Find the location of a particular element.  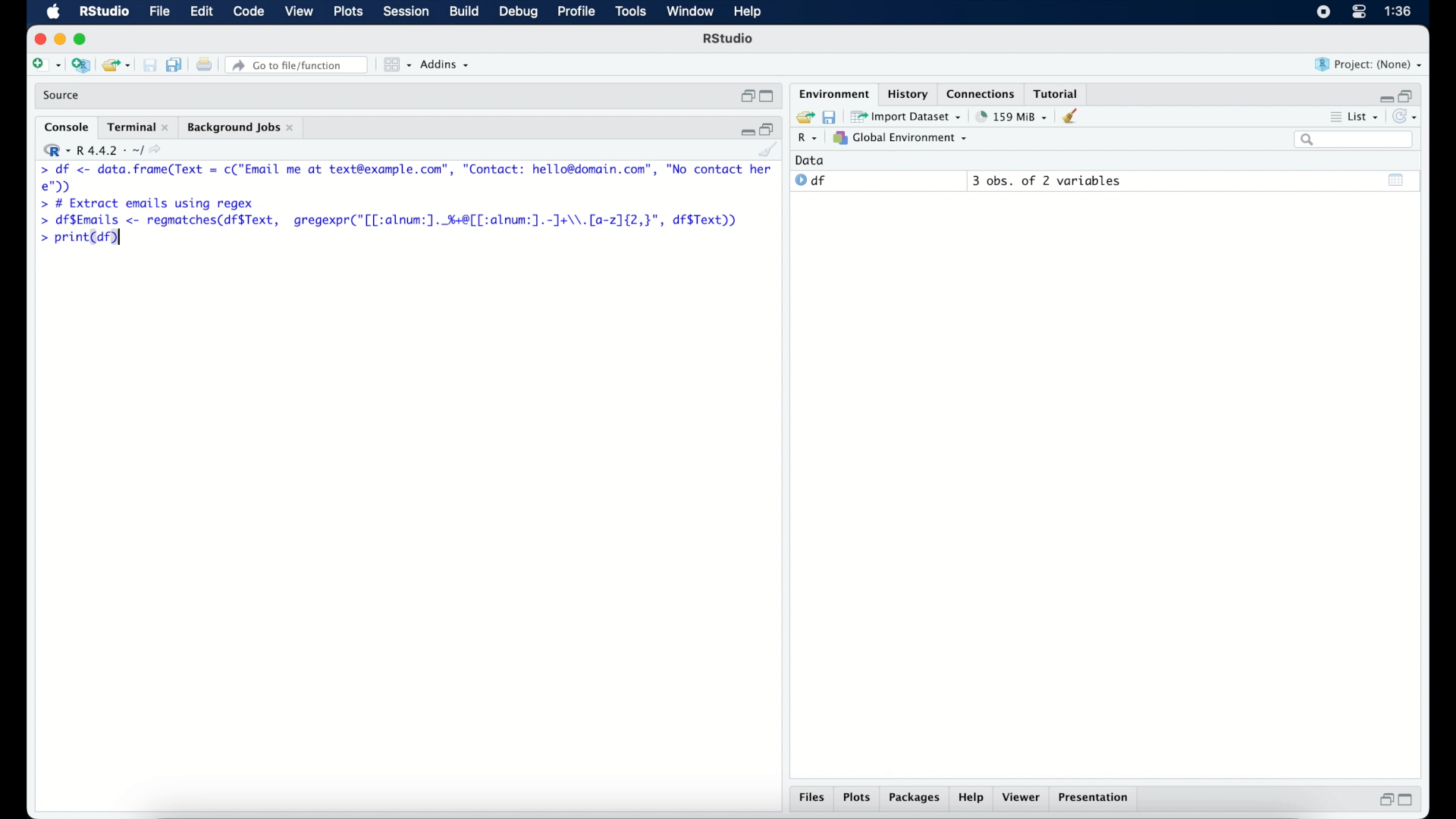

R Studio is located at coordinates (730, 40).